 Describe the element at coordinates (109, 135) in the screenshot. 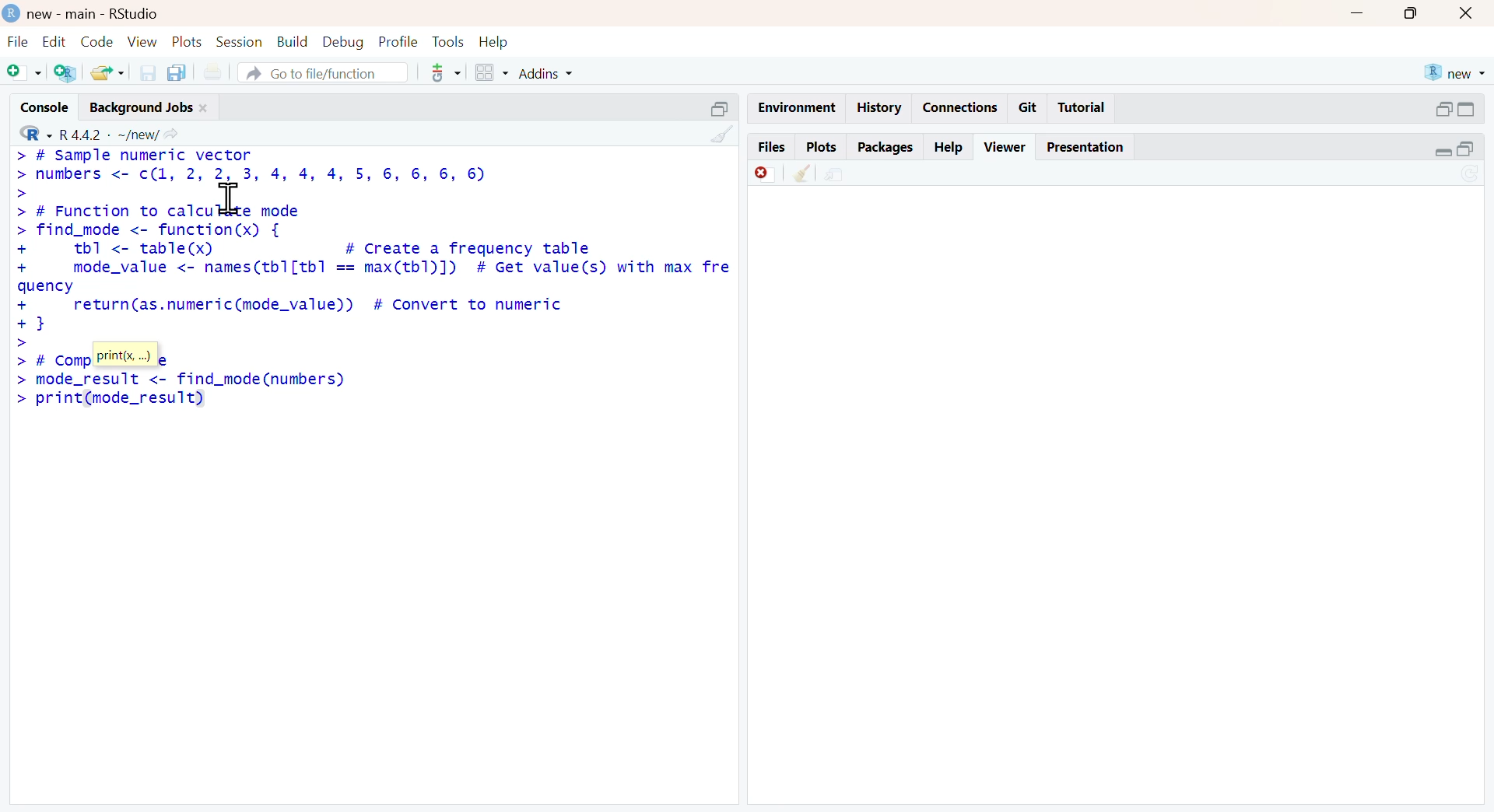

I see `R 4.4.2 ~/new/` at that location.